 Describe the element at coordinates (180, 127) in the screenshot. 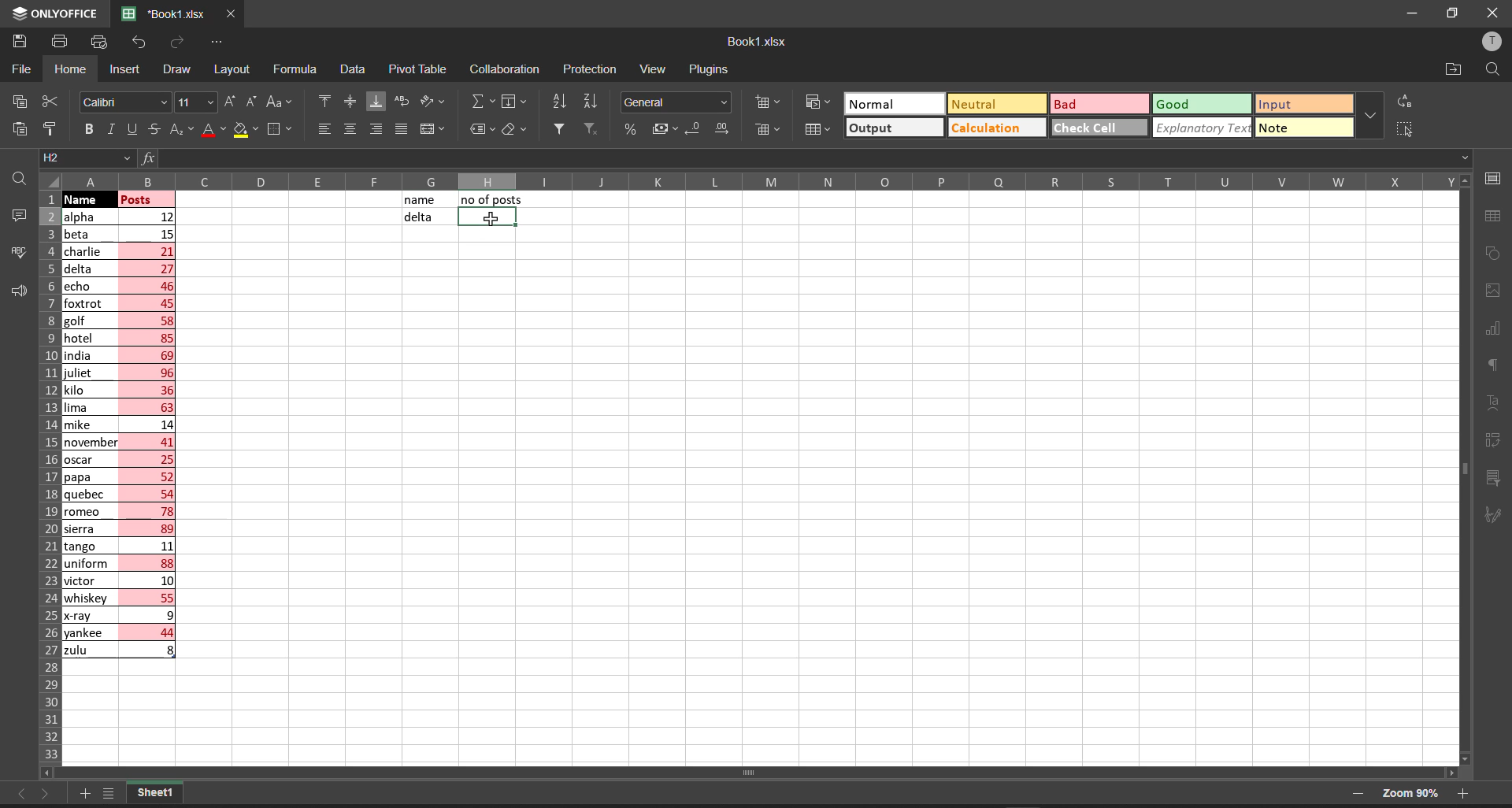

I see `subscript\superscript` at that location.